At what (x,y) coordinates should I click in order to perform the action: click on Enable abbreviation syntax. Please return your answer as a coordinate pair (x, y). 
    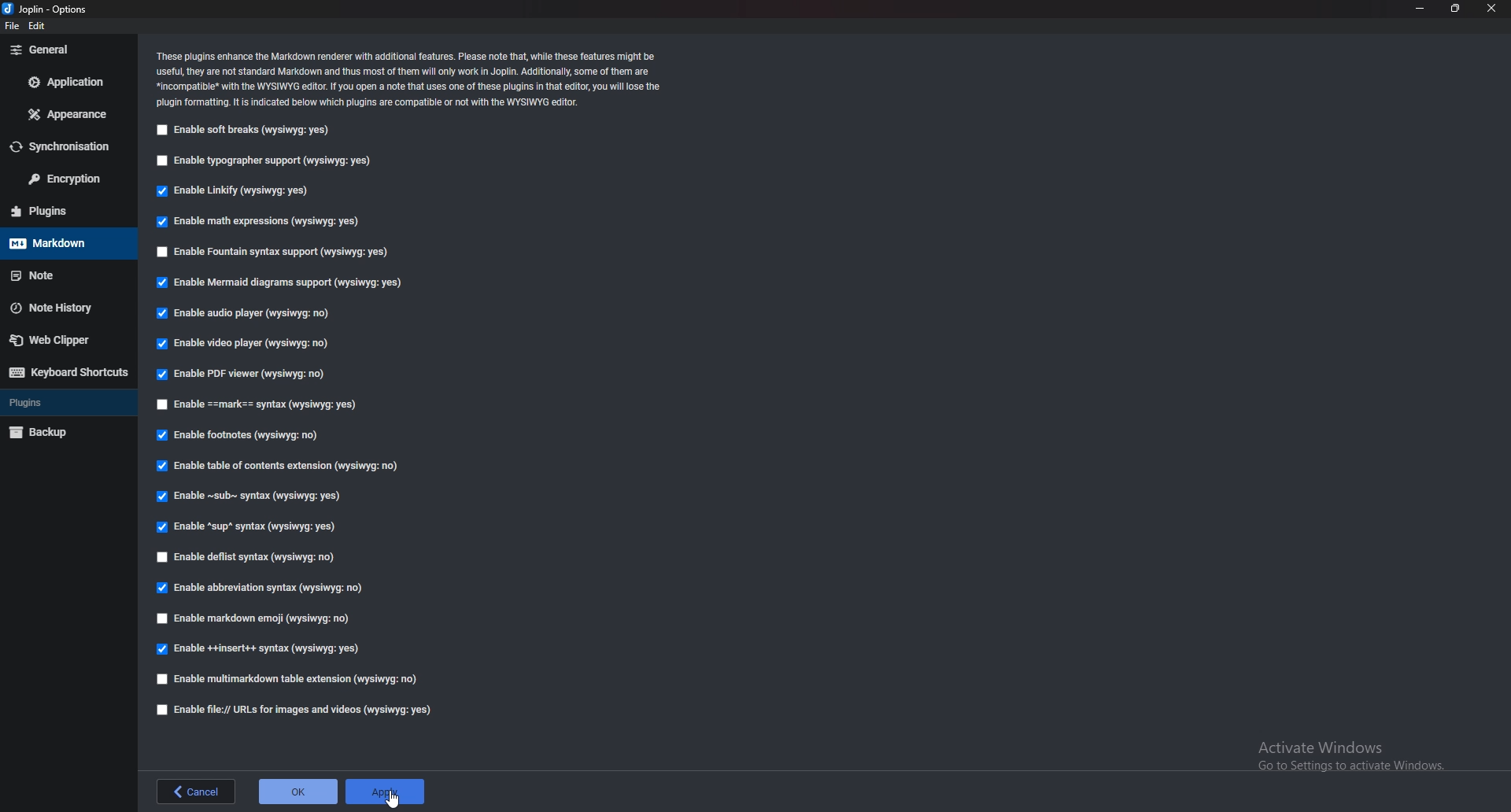
    Looking at the image, I should click on (269, 586).